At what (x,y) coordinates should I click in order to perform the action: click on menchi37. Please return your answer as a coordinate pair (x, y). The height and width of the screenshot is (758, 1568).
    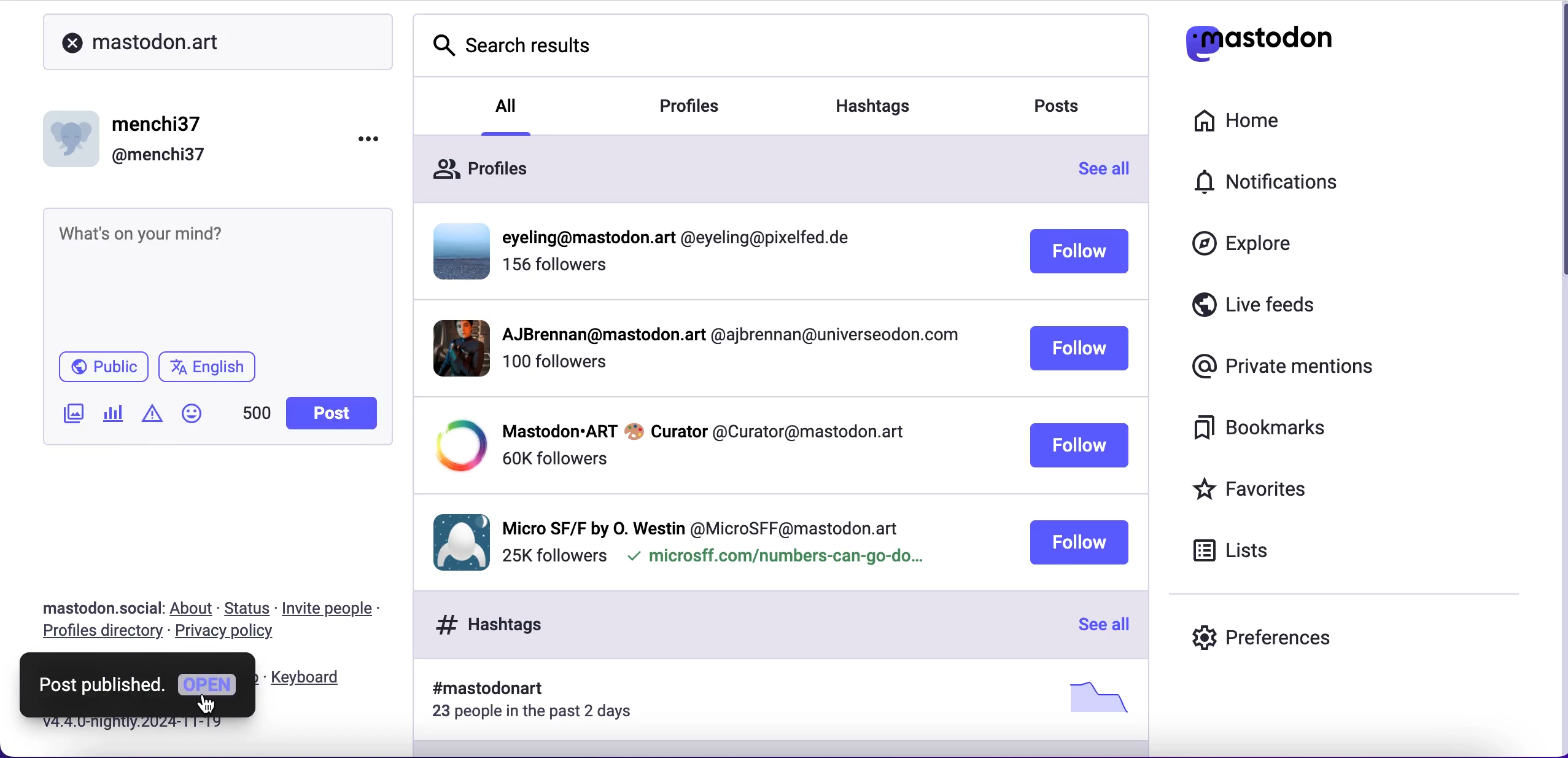
    Looking at the image, I should click on (159, 125).